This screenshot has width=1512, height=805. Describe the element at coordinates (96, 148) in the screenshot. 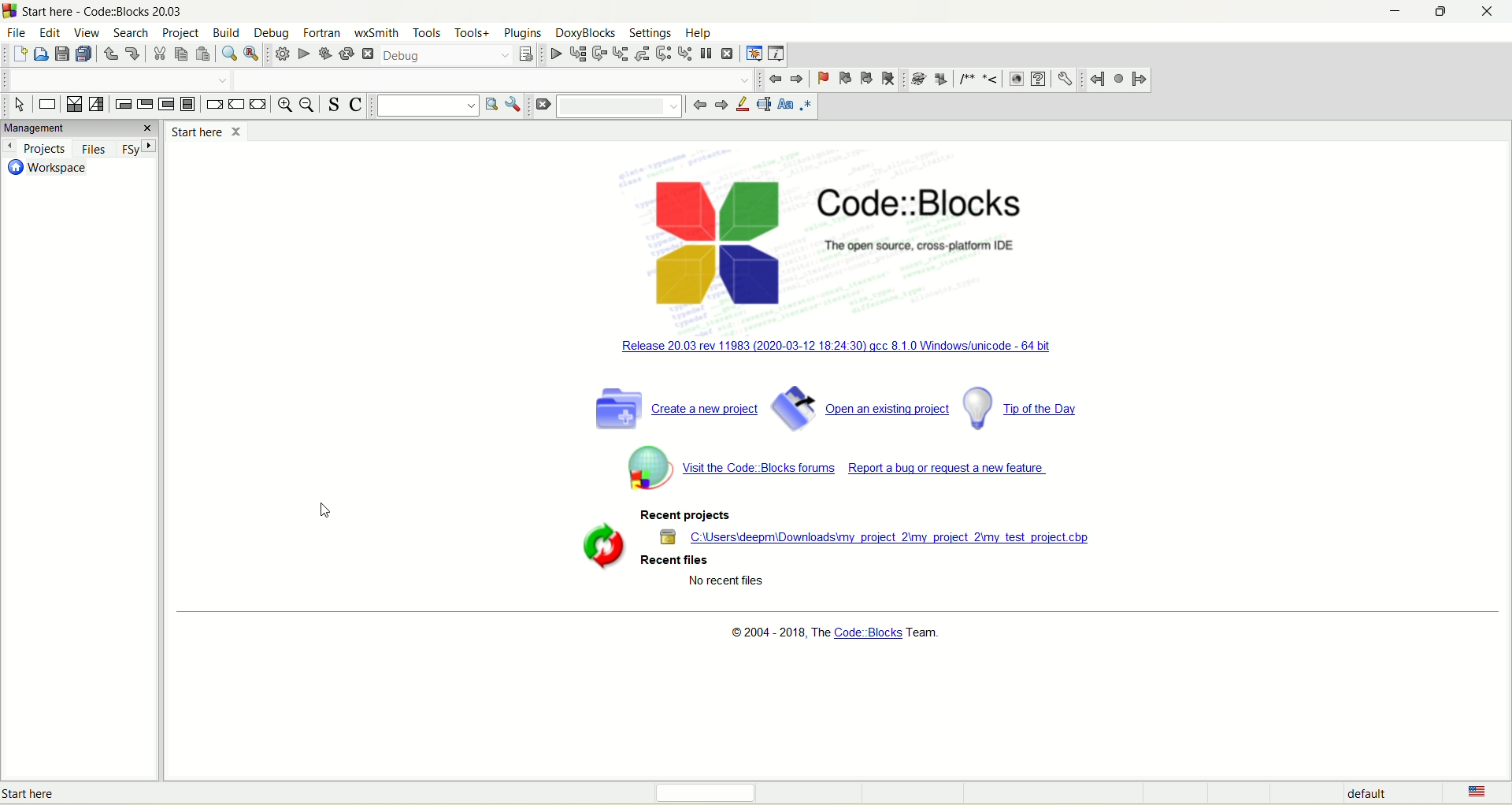

I see `files` at that location.